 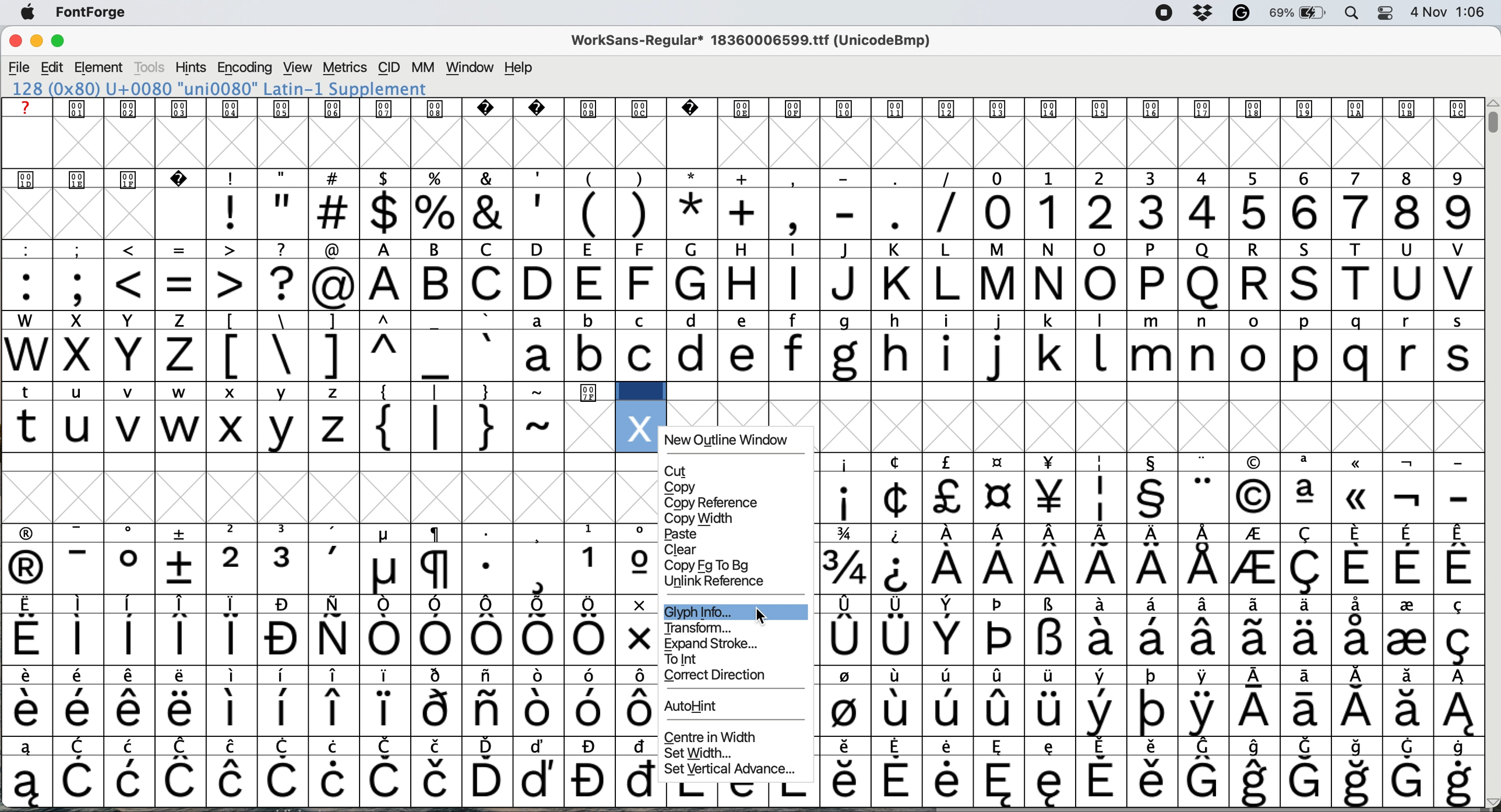 What do you see at coordinates (33, 13) in the screenshot?
I see `system logo` at bounding box center [33, 13].